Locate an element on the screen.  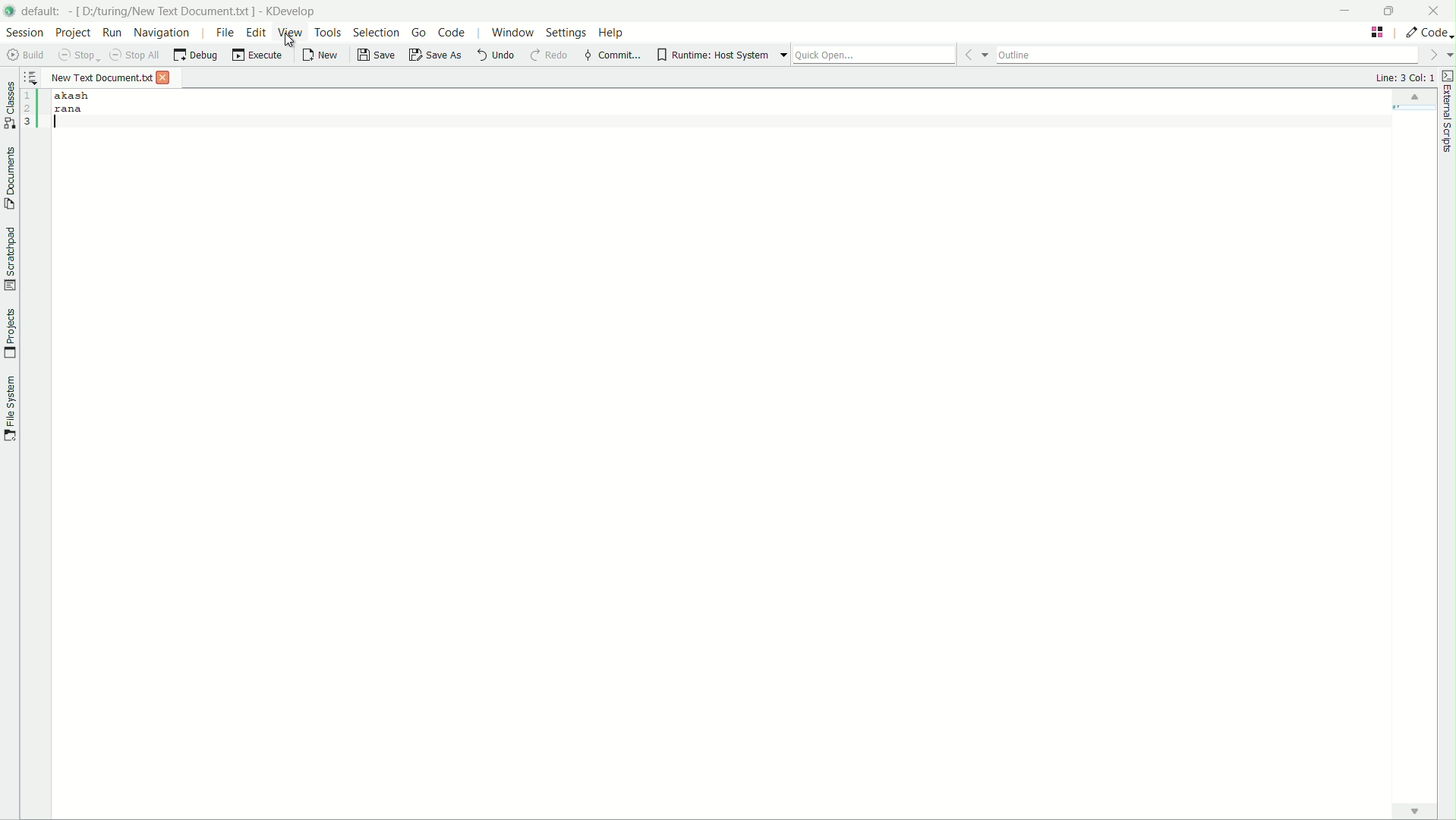
new is located at coordinates (320, 55).